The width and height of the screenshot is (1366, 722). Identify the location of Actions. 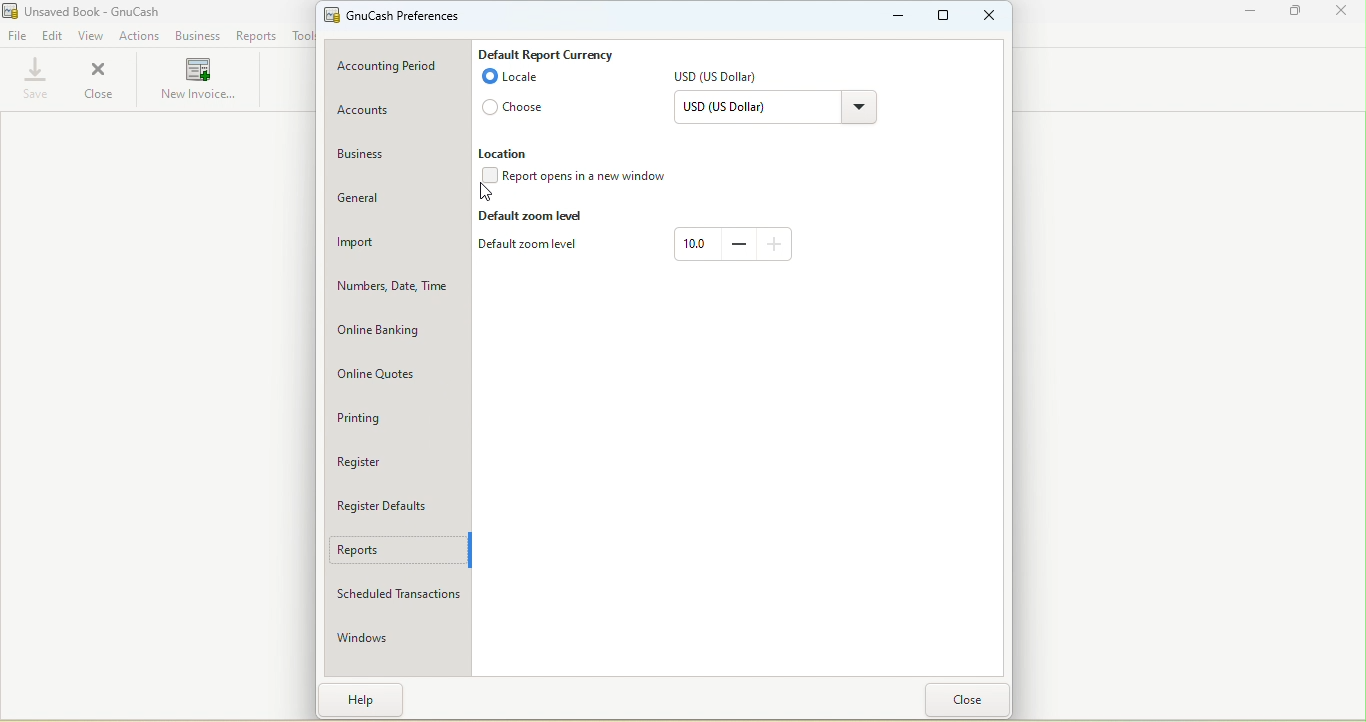
(141, 35).